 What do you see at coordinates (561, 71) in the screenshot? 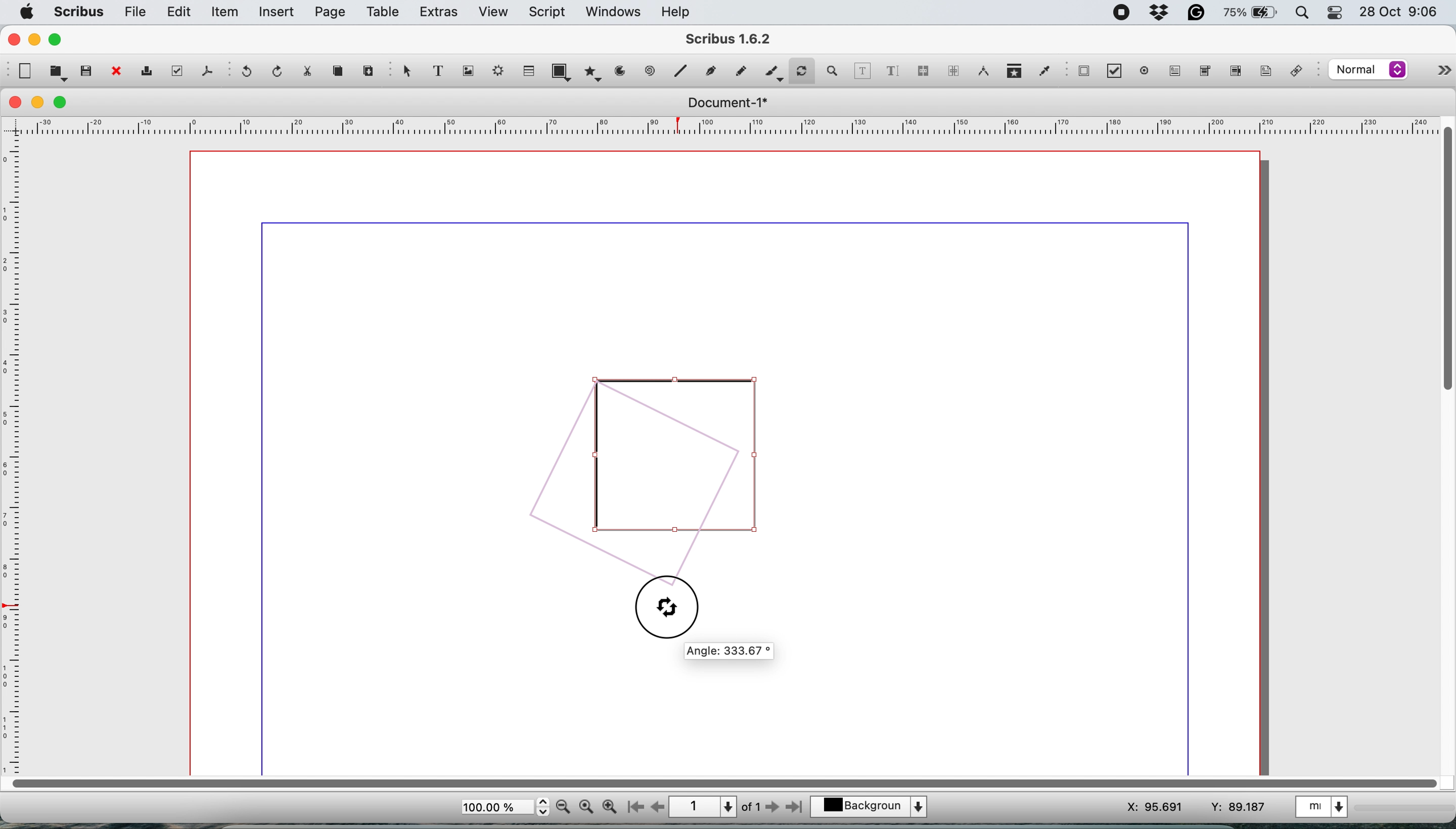
I see `shape` at bounding box center [561, 71].